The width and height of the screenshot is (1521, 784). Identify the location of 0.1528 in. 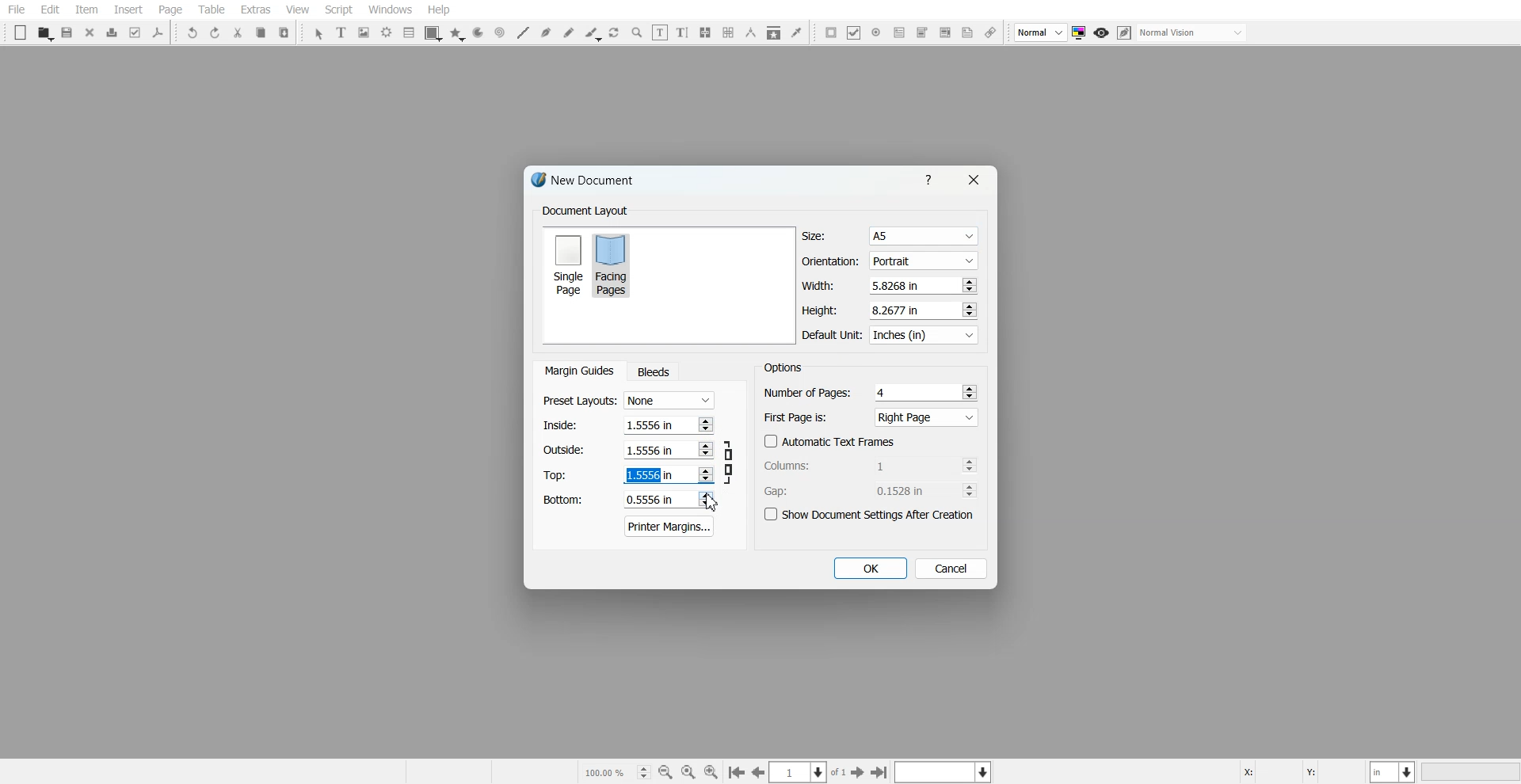
(905, 490).